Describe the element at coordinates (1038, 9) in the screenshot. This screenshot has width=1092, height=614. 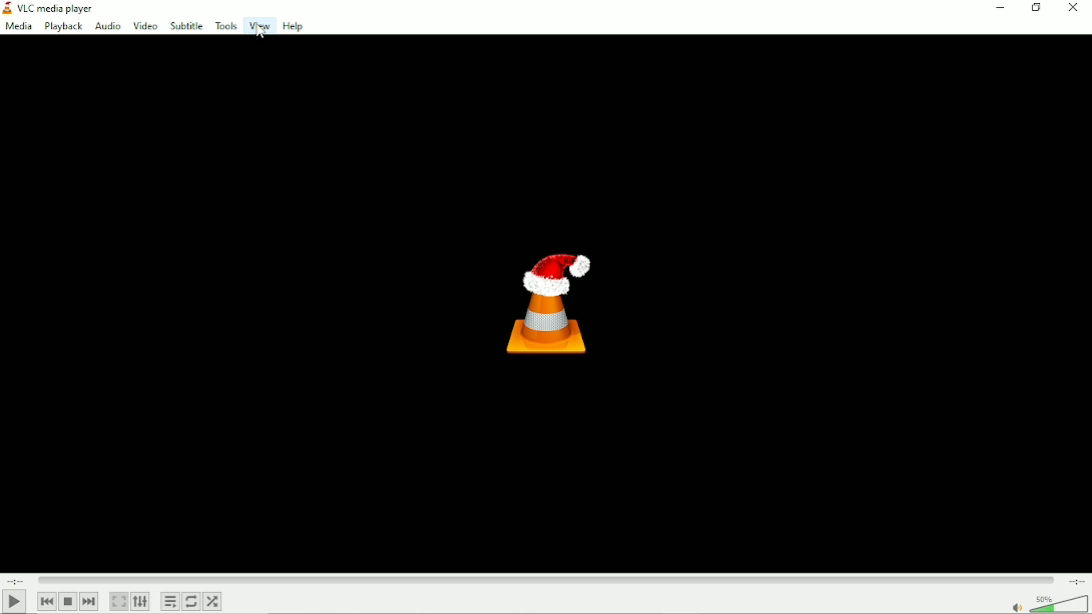
I see `Restore down` at that location.